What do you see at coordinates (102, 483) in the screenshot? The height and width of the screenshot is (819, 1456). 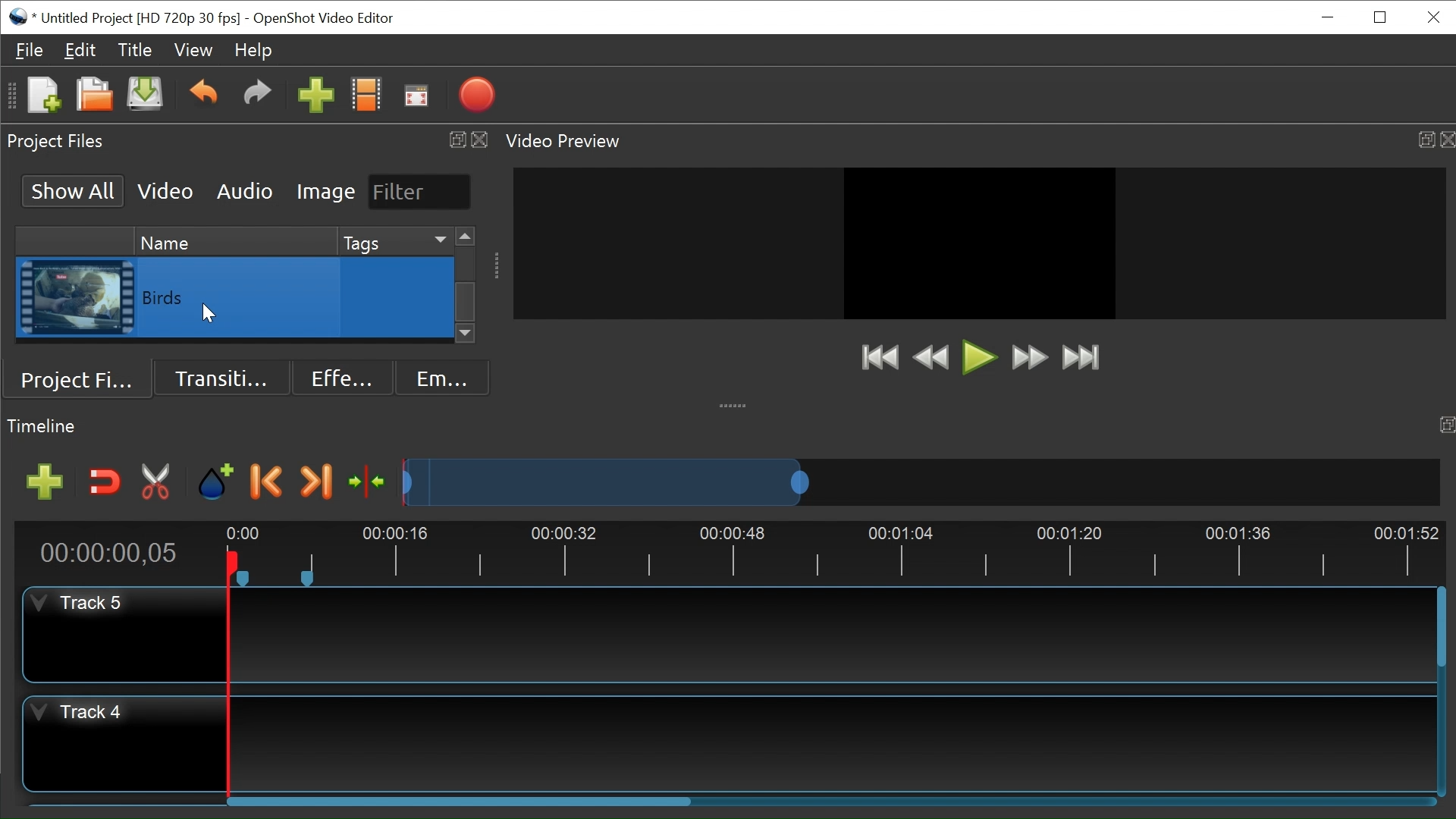 I see `Snap` at bounding box center [102, 483].